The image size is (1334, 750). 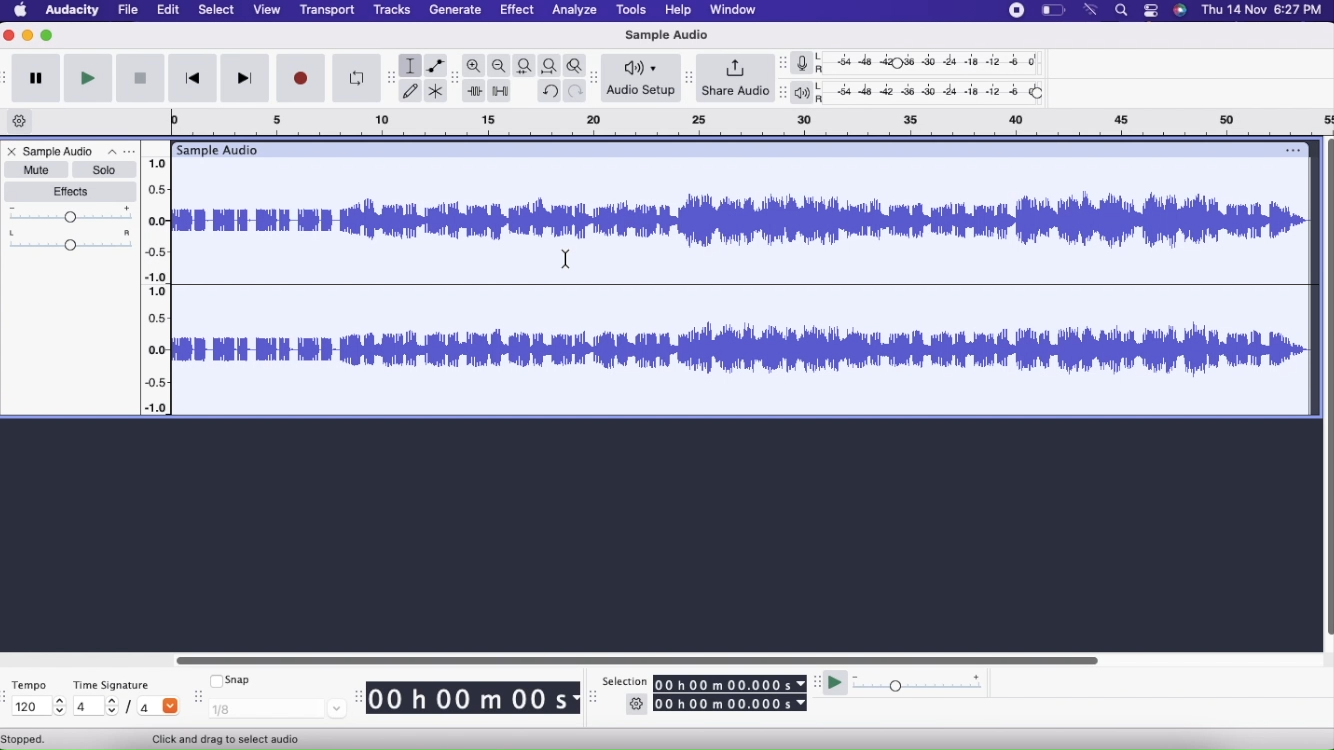 I want to click on Undo, so click(x=550, y=91).